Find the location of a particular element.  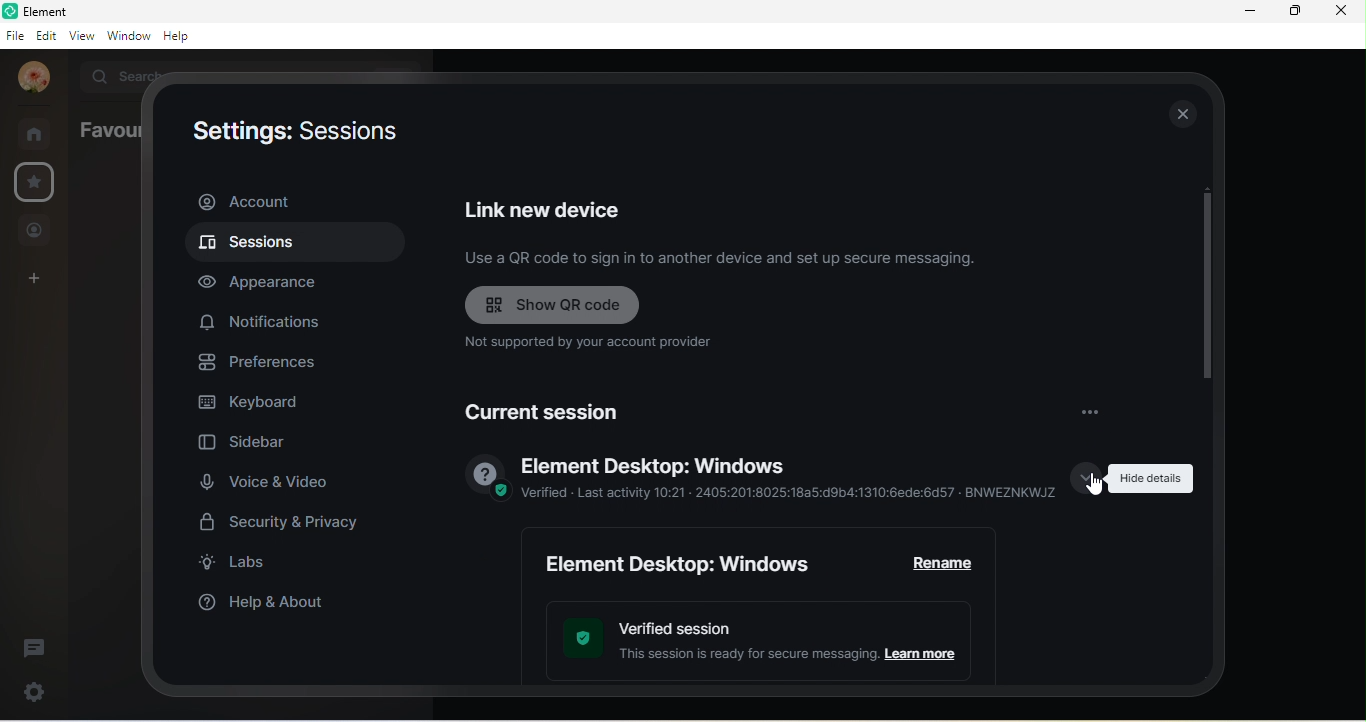

account is located at coordinates (33, 77).